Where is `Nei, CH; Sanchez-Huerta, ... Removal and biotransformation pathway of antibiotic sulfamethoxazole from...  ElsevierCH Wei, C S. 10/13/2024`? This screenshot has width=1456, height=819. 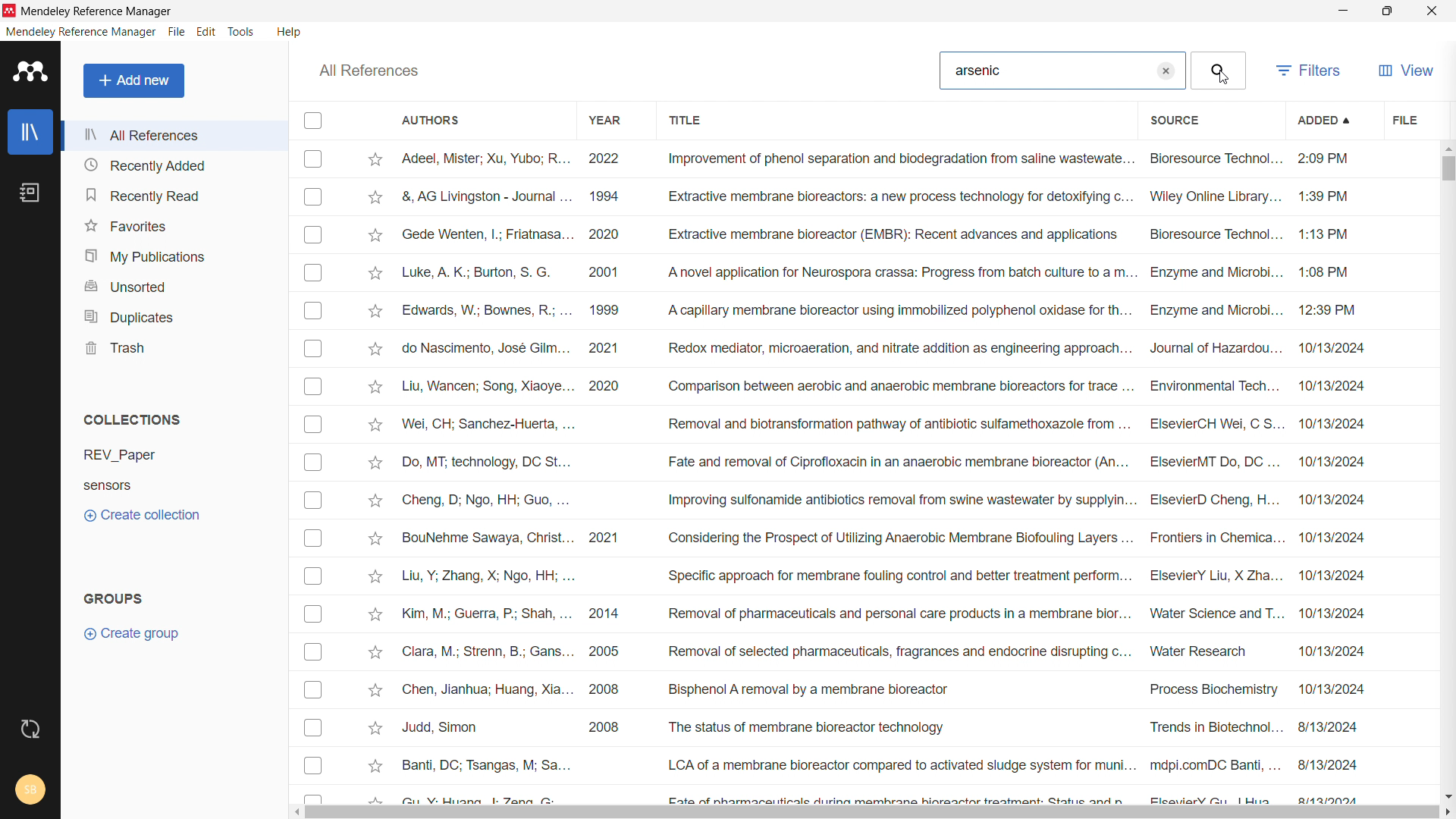 Nei, CH; Sanchez-Huerta, ... Removal and biotransformation pathway of antibiotic sulfamethoxazole from...  ElsevierCH Wei, C S. 10/13/2024 is located at coordinates (884, 424).